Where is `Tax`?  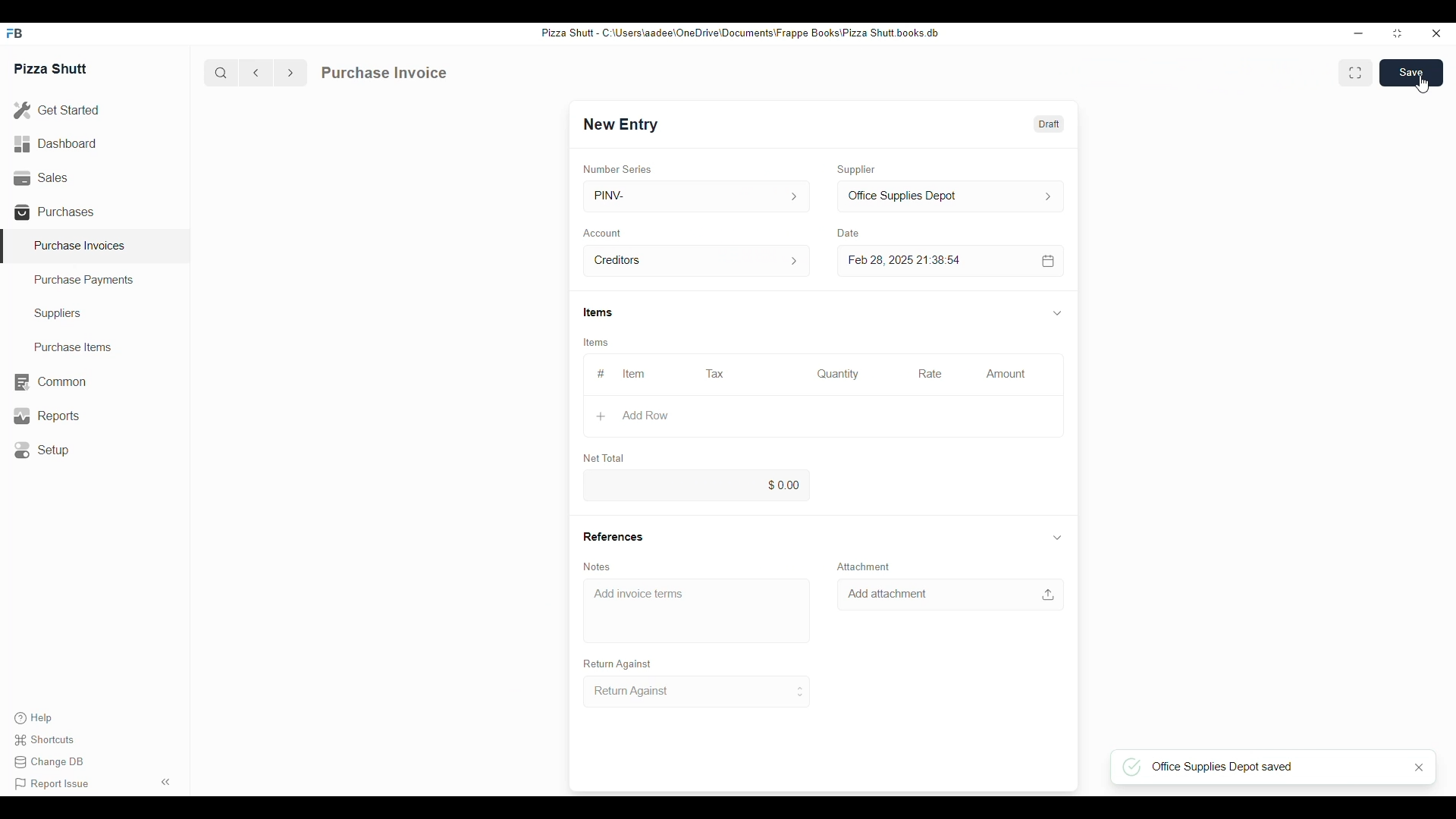 Tax is located at coordinates (713, 373).